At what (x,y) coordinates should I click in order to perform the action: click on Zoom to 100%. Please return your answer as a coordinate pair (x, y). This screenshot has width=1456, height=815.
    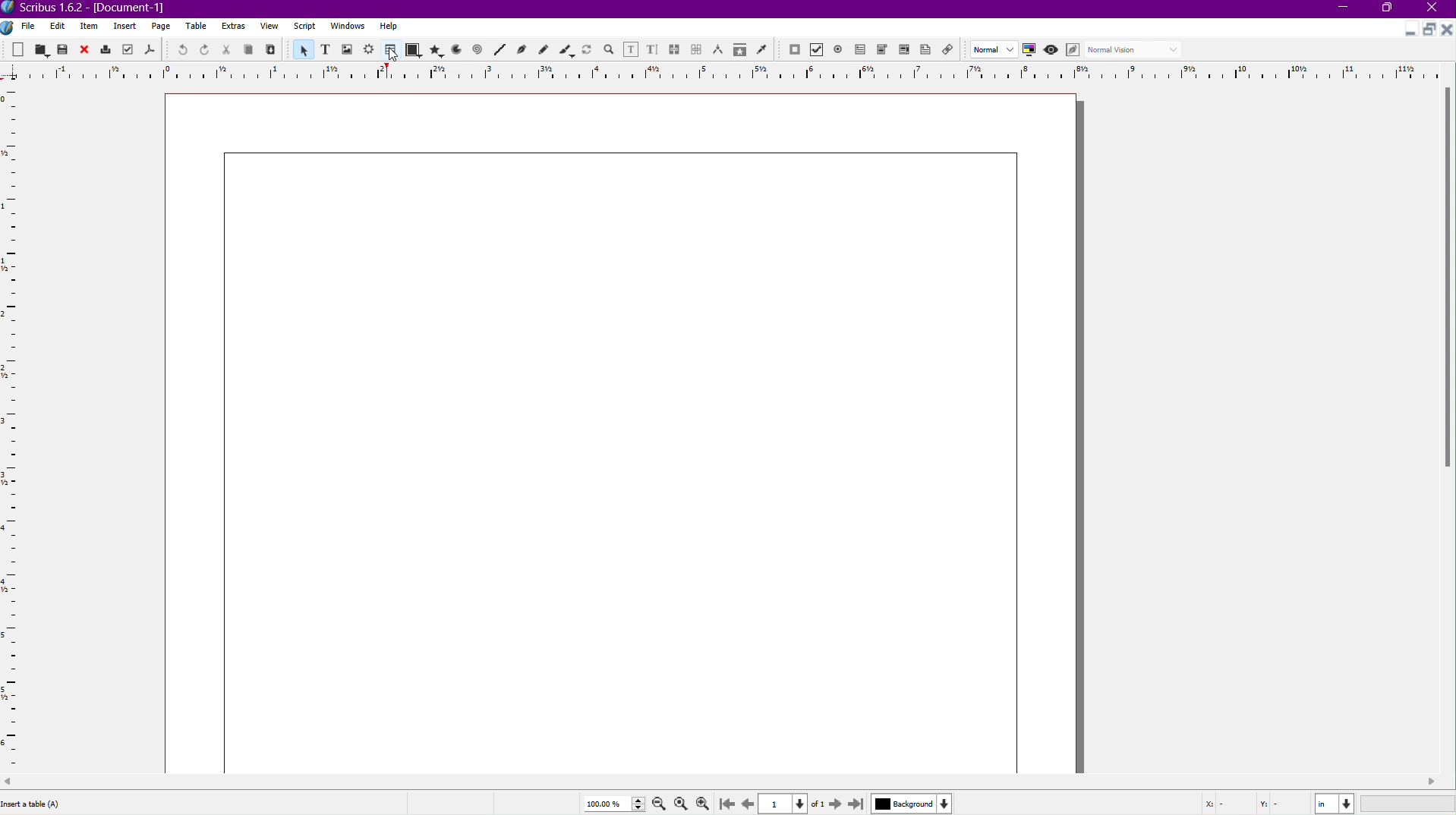
    Looking at the image, I should click on (680, 801).